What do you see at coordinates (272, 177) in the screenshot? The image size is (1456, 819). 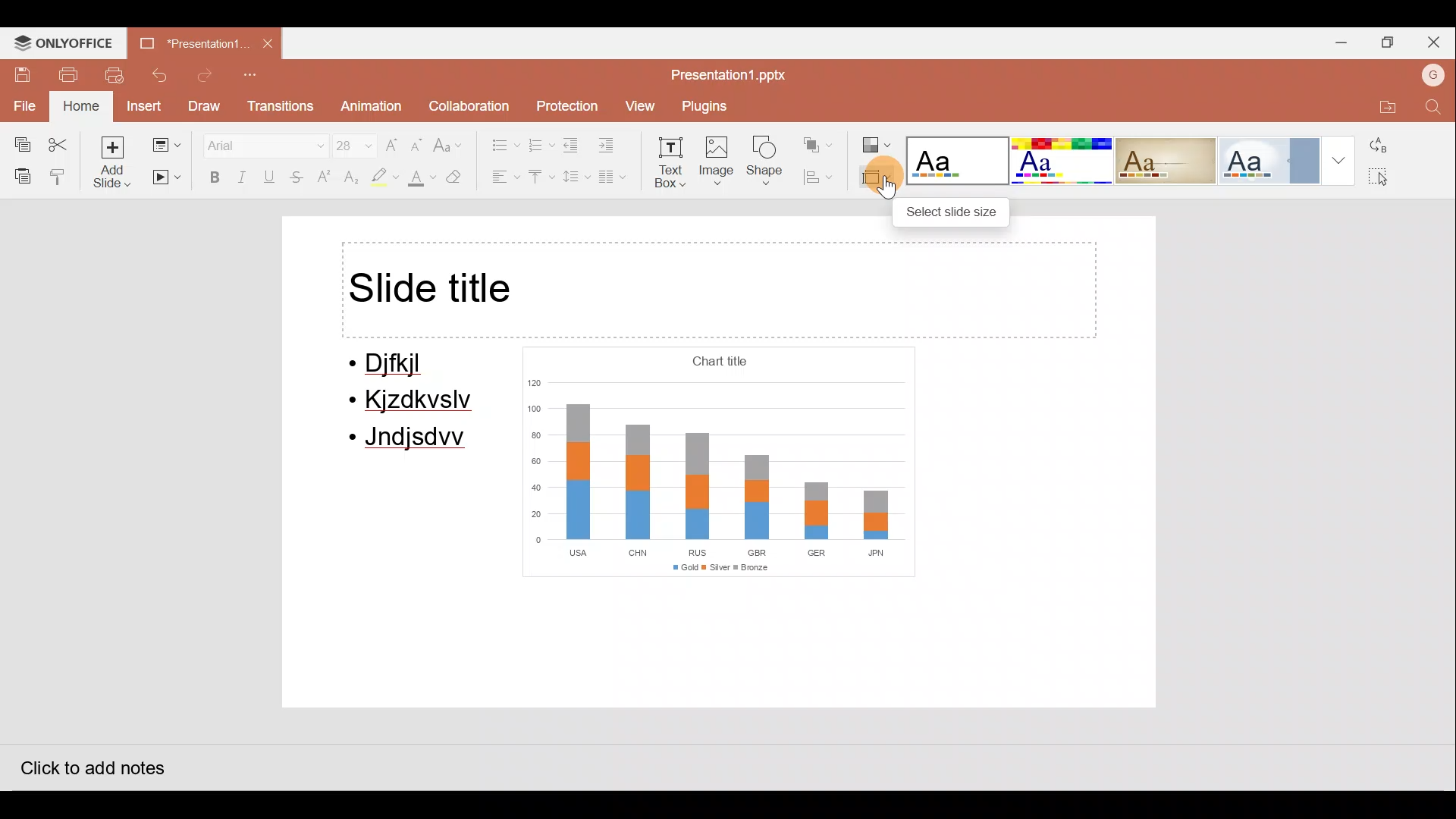 I see `Underline` at bounding box center [272, 177].